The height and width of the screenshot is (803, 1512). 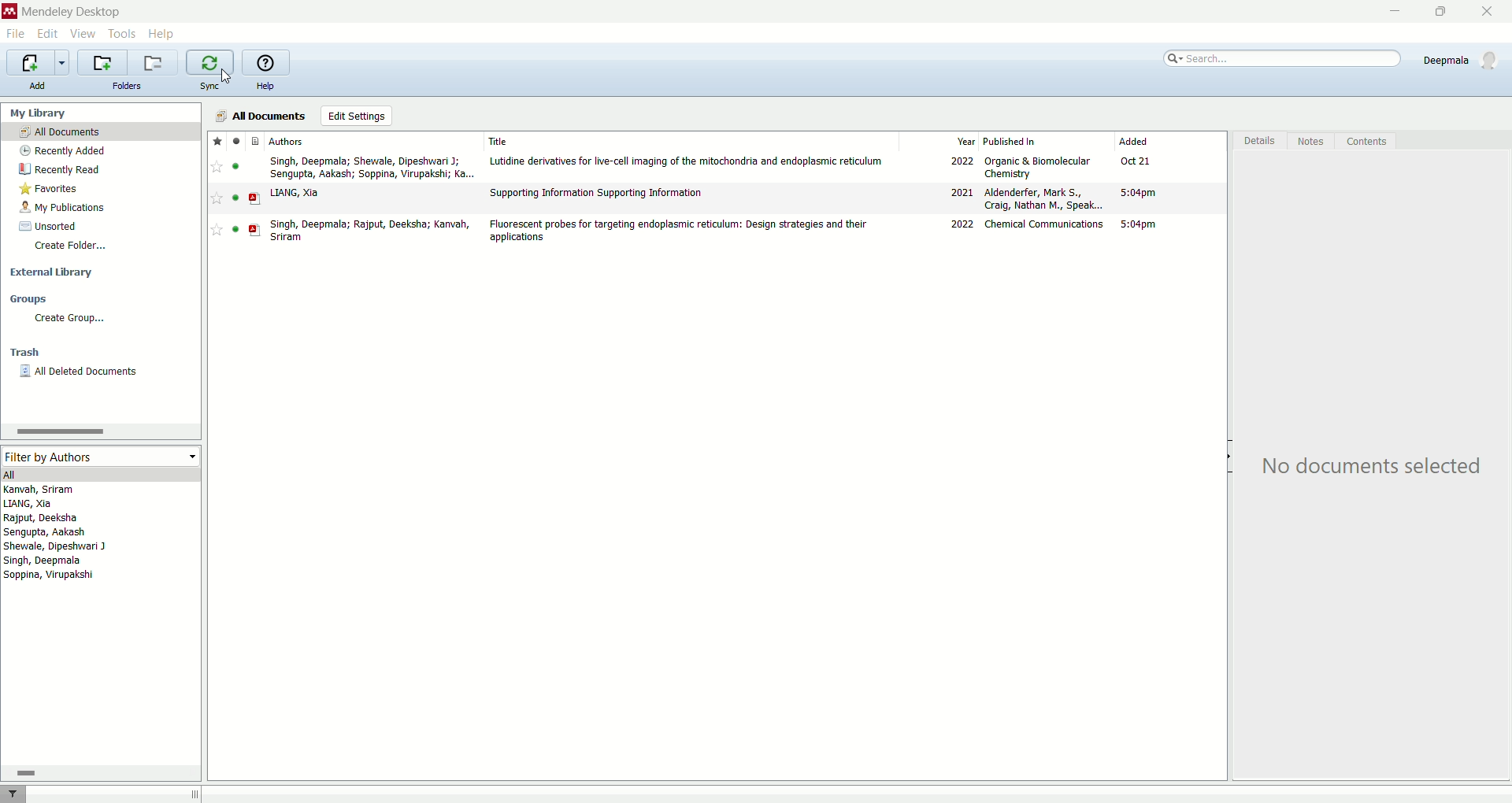 I want to click on published in, so click(x=1044, y=142).